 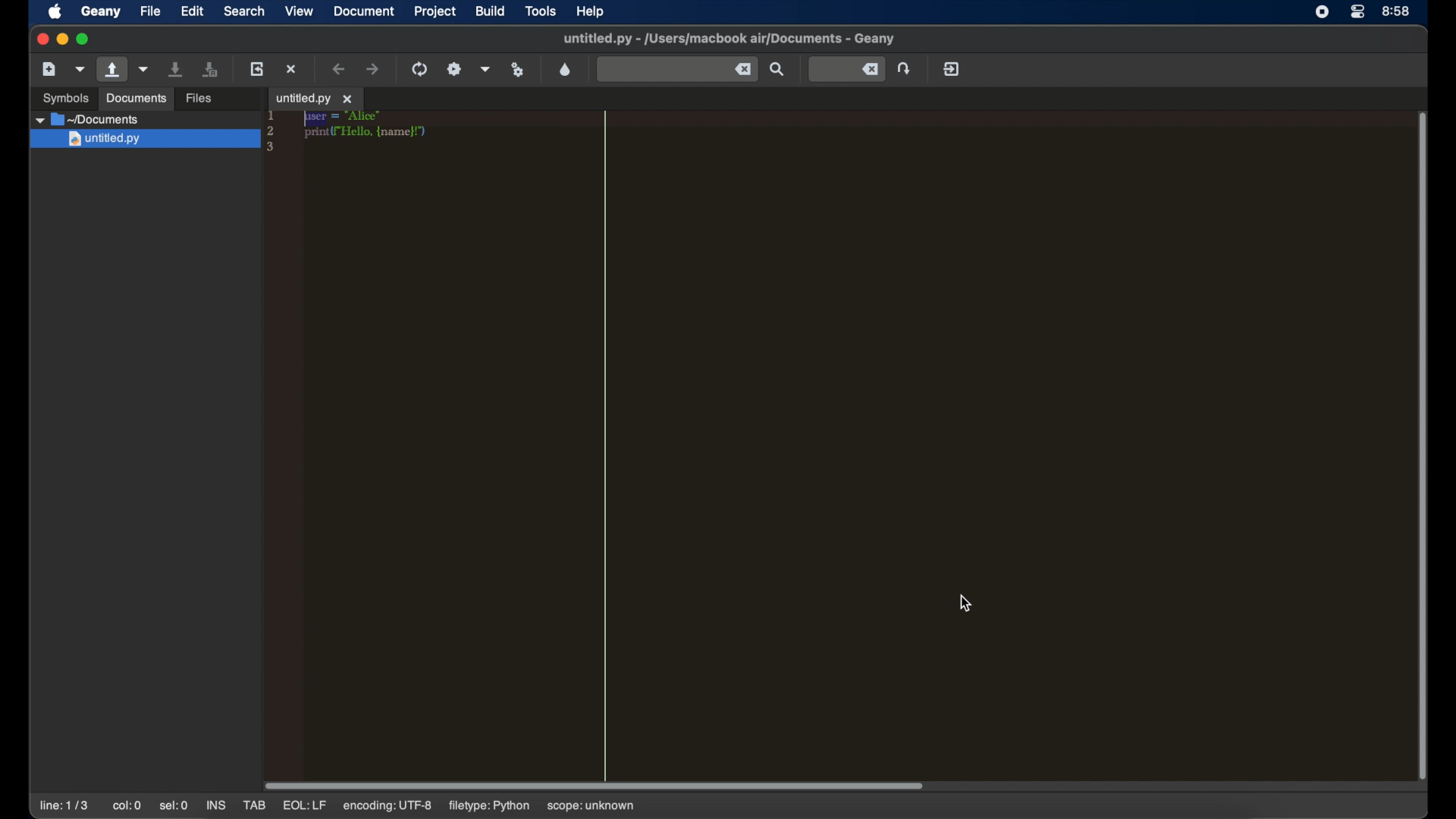 What do you see at coordinates (83, 39) in the screenshot?
I see `maximize` at bounding box center [83, 39].